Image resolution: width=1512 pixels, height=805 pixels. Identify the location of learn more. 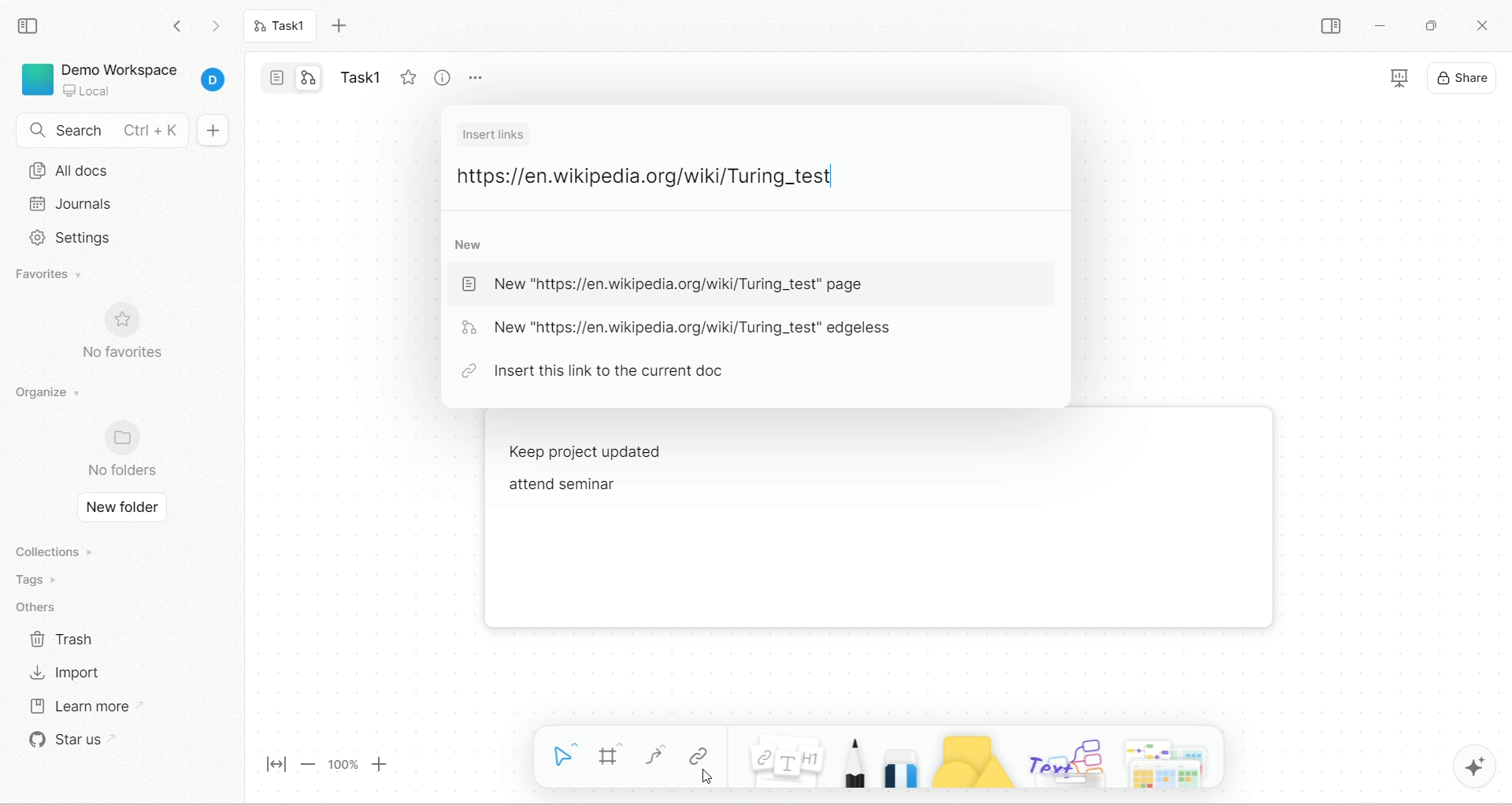
(97, 706).